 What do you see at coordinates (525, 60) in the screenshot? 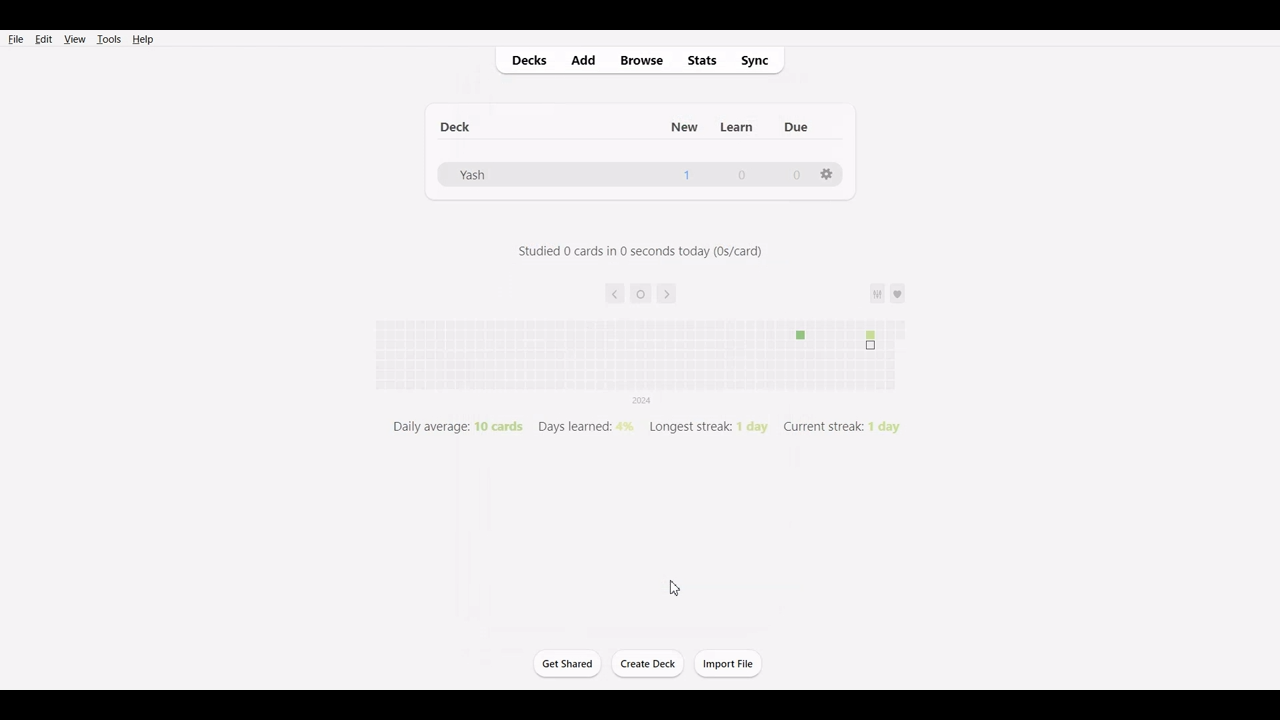
I see `Decks` at bounding box center [525, 60].